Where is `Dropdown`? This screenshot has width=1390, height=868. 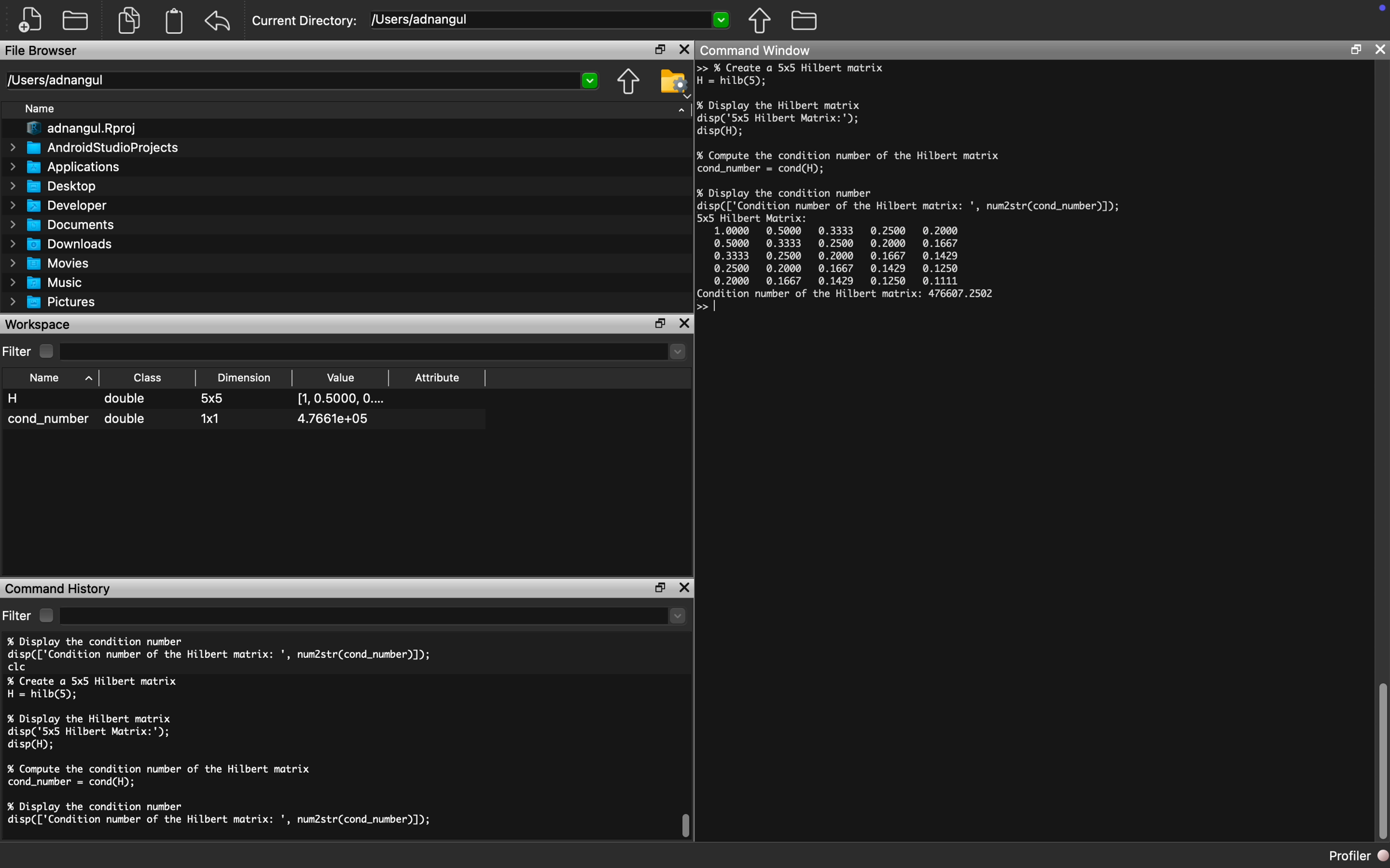
Dropdown is located at coordinates (372, 353).